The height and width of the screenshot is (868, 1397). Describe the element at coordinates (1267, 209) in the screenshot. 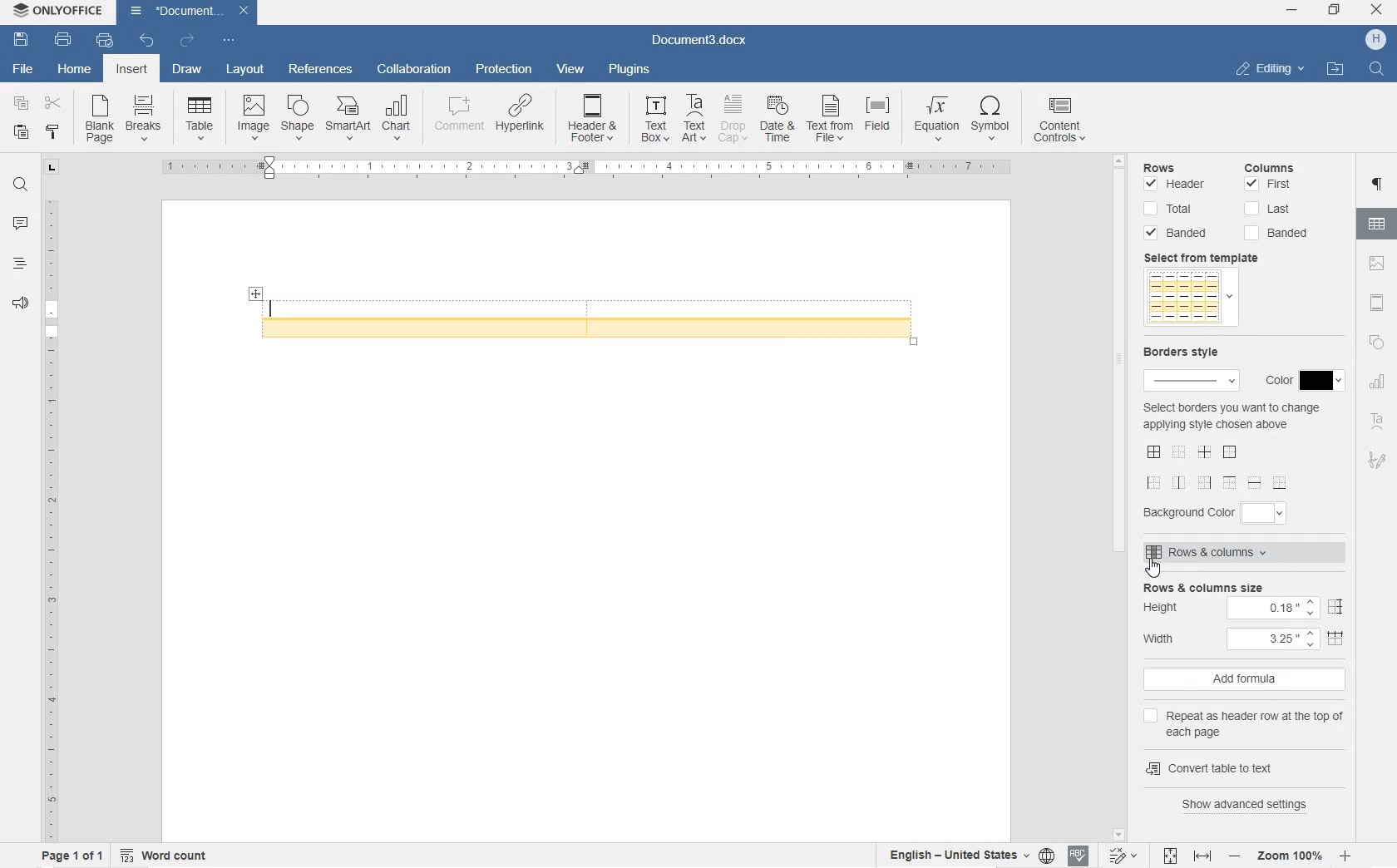

I see `Last` at that location.